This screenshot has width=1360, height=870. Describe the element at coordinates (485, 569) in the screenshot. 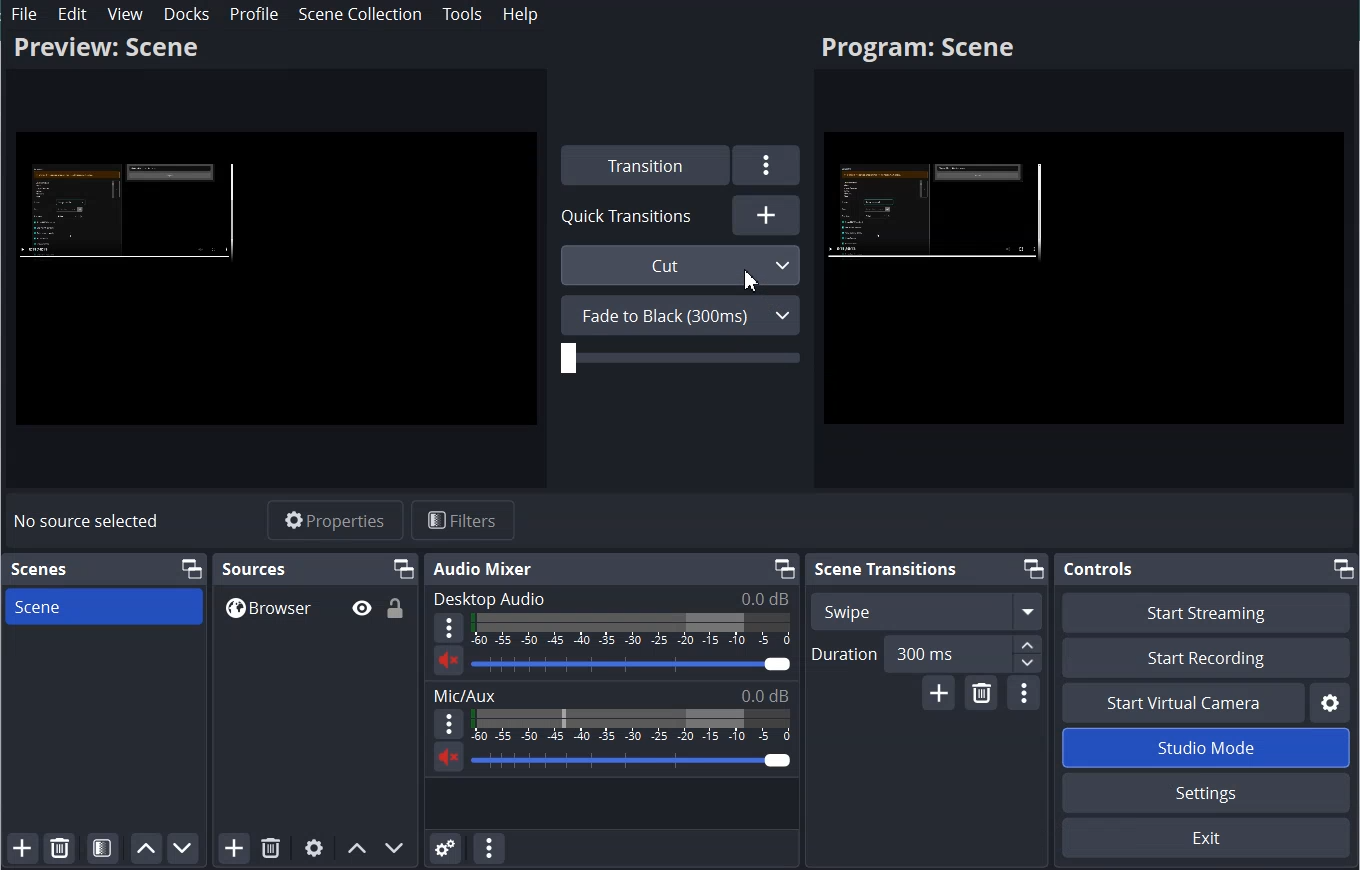

I see `Audio Mixer` at that location.